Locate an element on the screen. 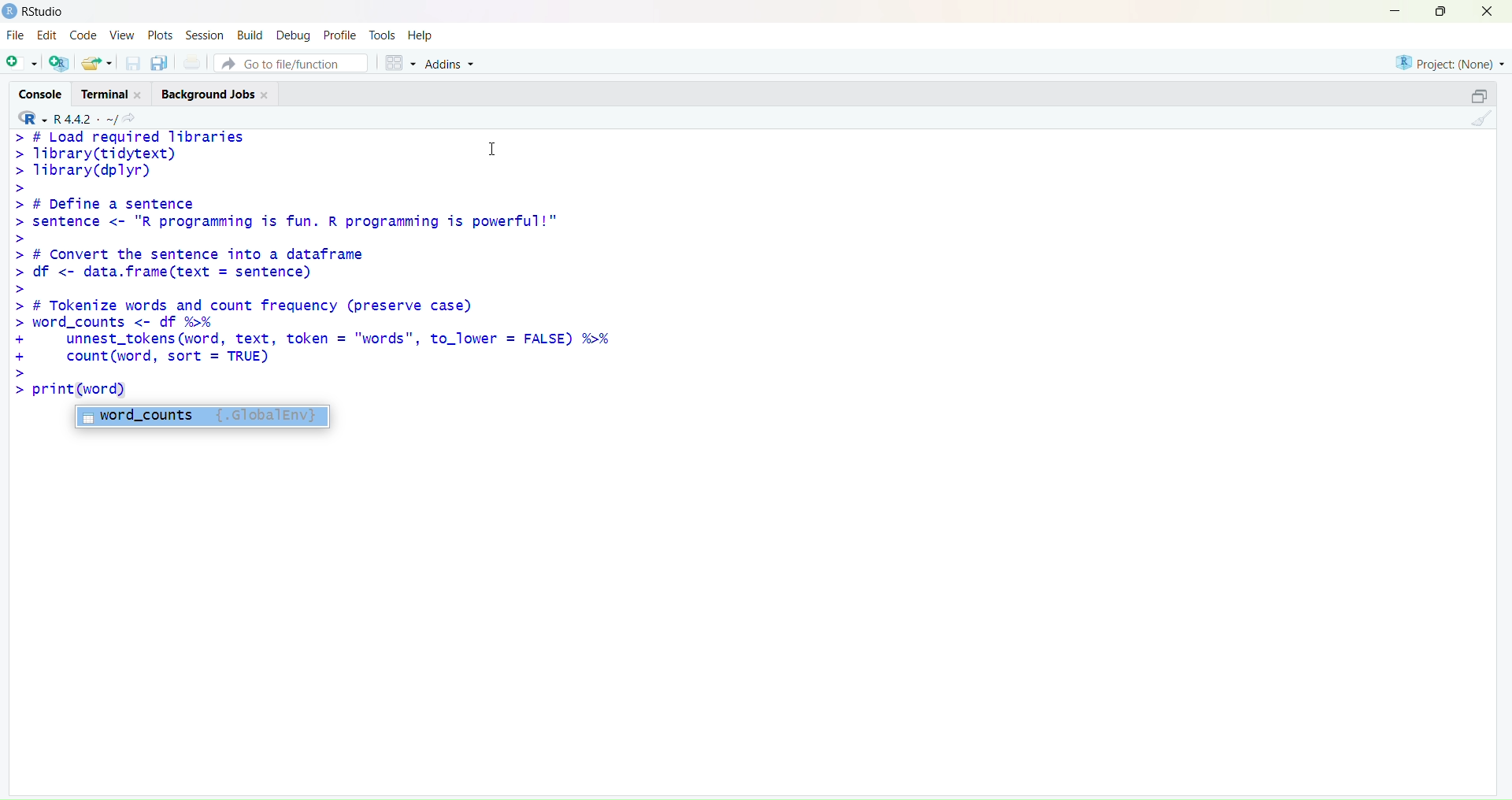  profile is located at coordinates (339, 36).